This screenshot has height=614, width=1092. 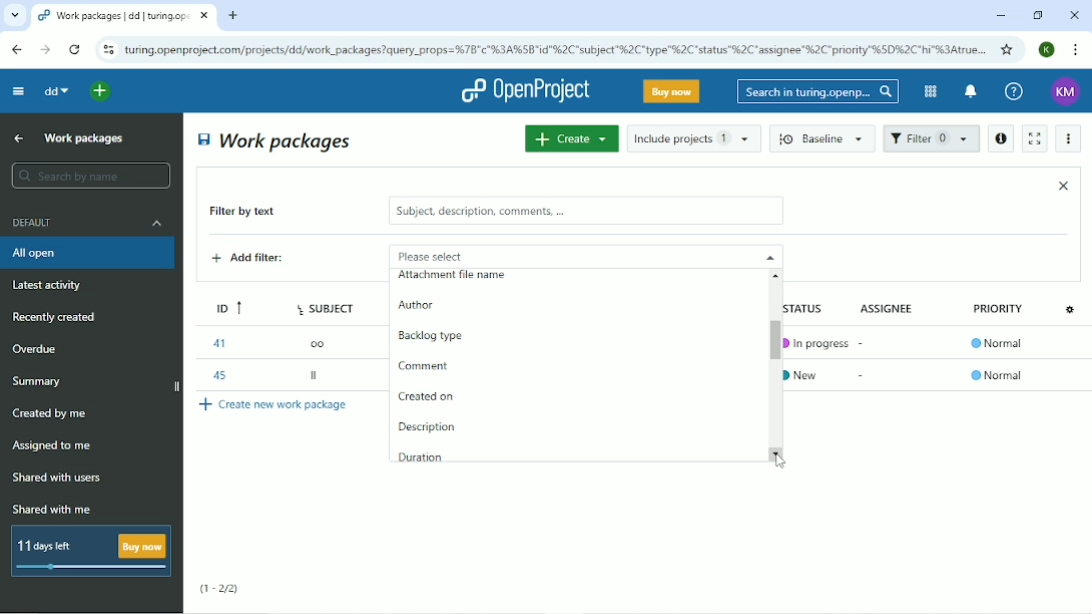 I want to click on Search by name, so click(x=90, y=176).